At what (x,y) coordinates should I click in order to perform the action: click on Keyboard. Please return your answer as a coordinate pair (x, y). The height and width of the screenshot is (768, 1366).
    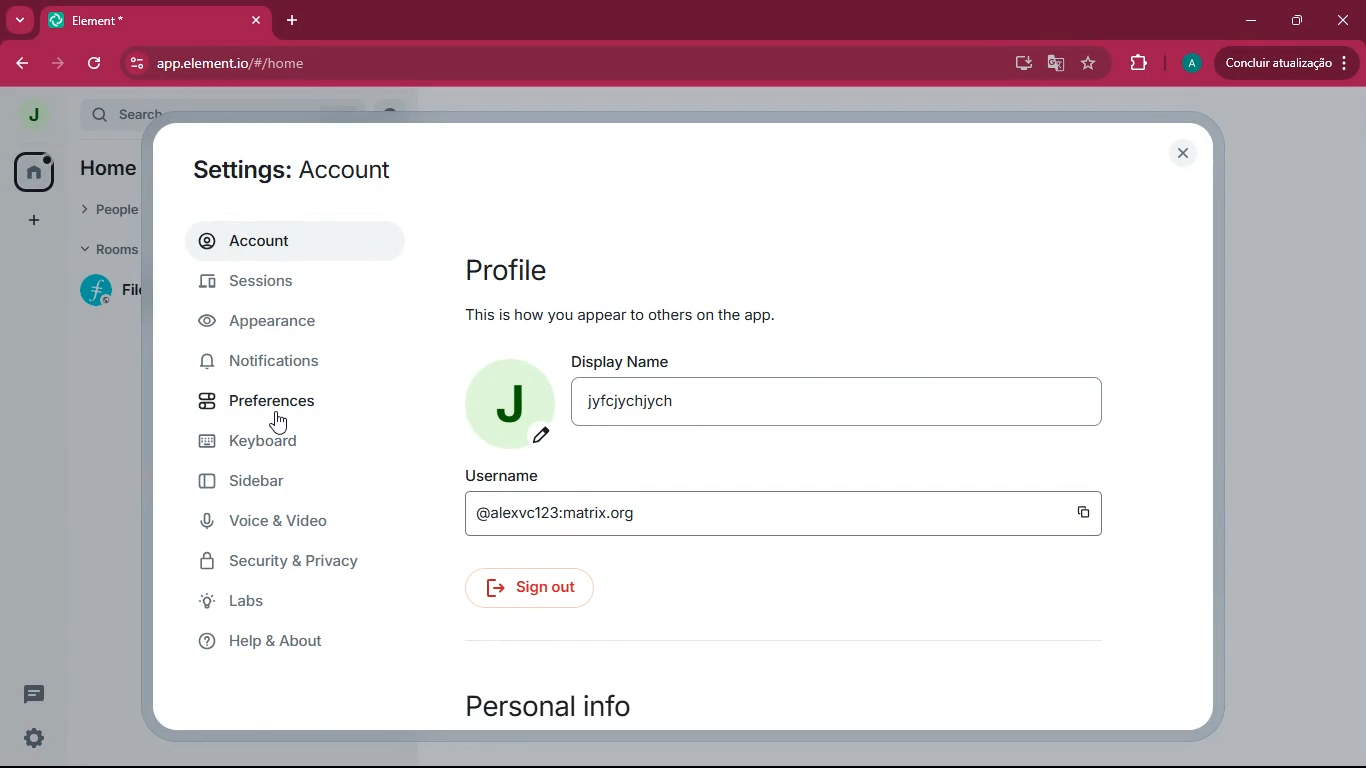
    Looking at the image, I should click on (271, 442).